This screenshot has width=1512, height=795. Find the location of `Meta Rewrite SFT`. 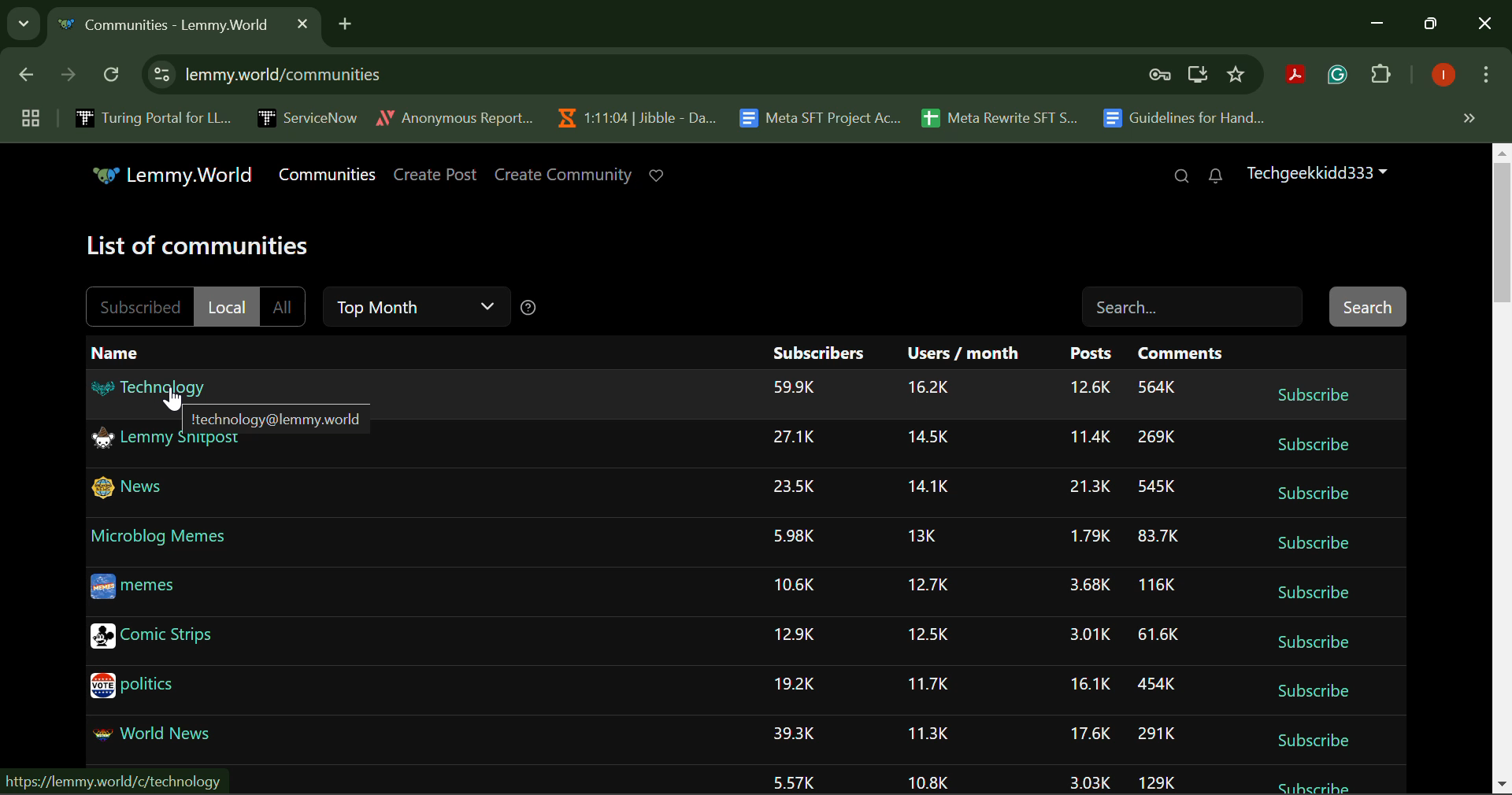

Meta Rewrite SFT is located at coordinates (1006, 116).